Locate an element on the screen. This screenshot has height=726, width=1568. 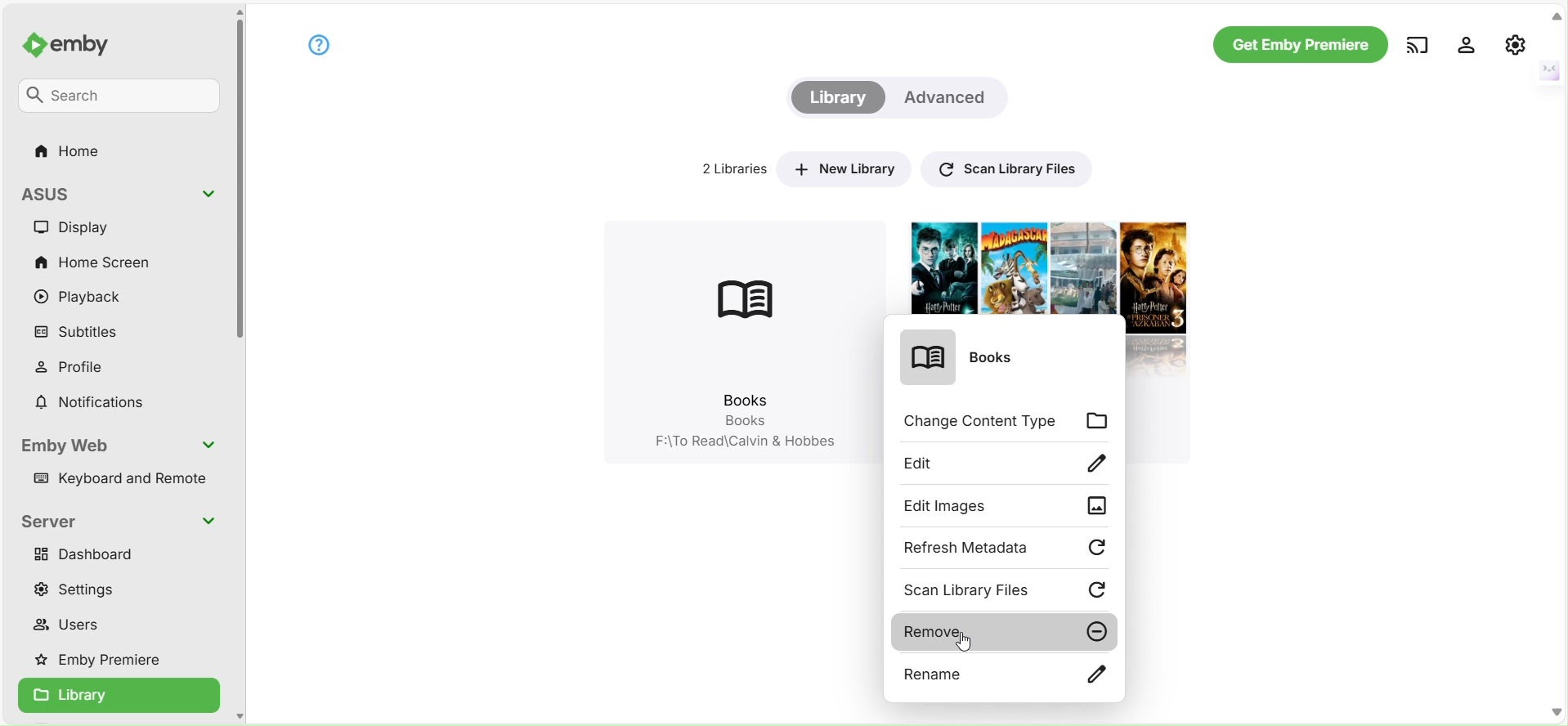
Change Content Type is located at coordinates (1008, 423).